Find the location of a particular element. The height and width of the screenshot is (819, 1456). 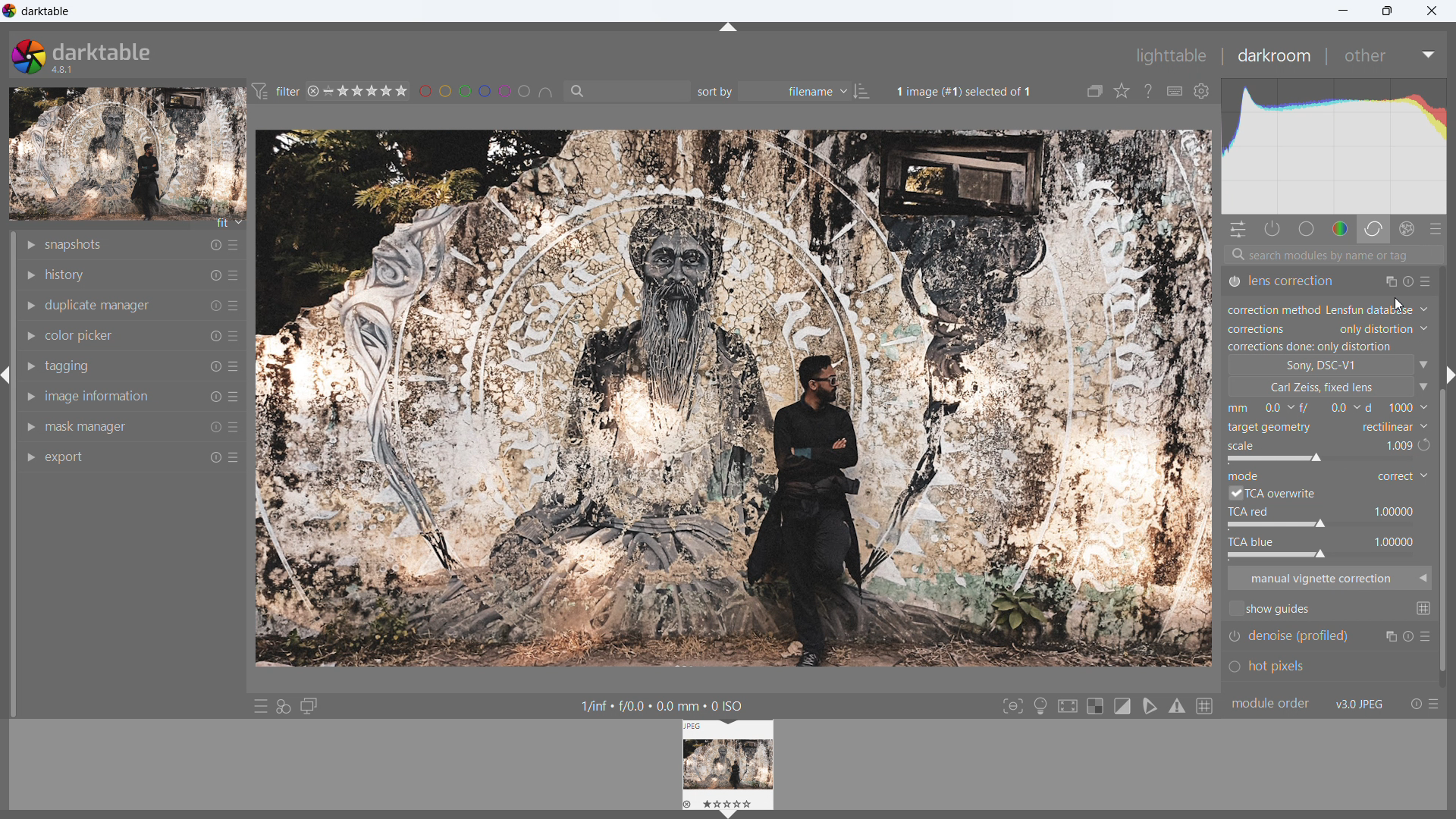

sort by is located at coordinates (772, 91).